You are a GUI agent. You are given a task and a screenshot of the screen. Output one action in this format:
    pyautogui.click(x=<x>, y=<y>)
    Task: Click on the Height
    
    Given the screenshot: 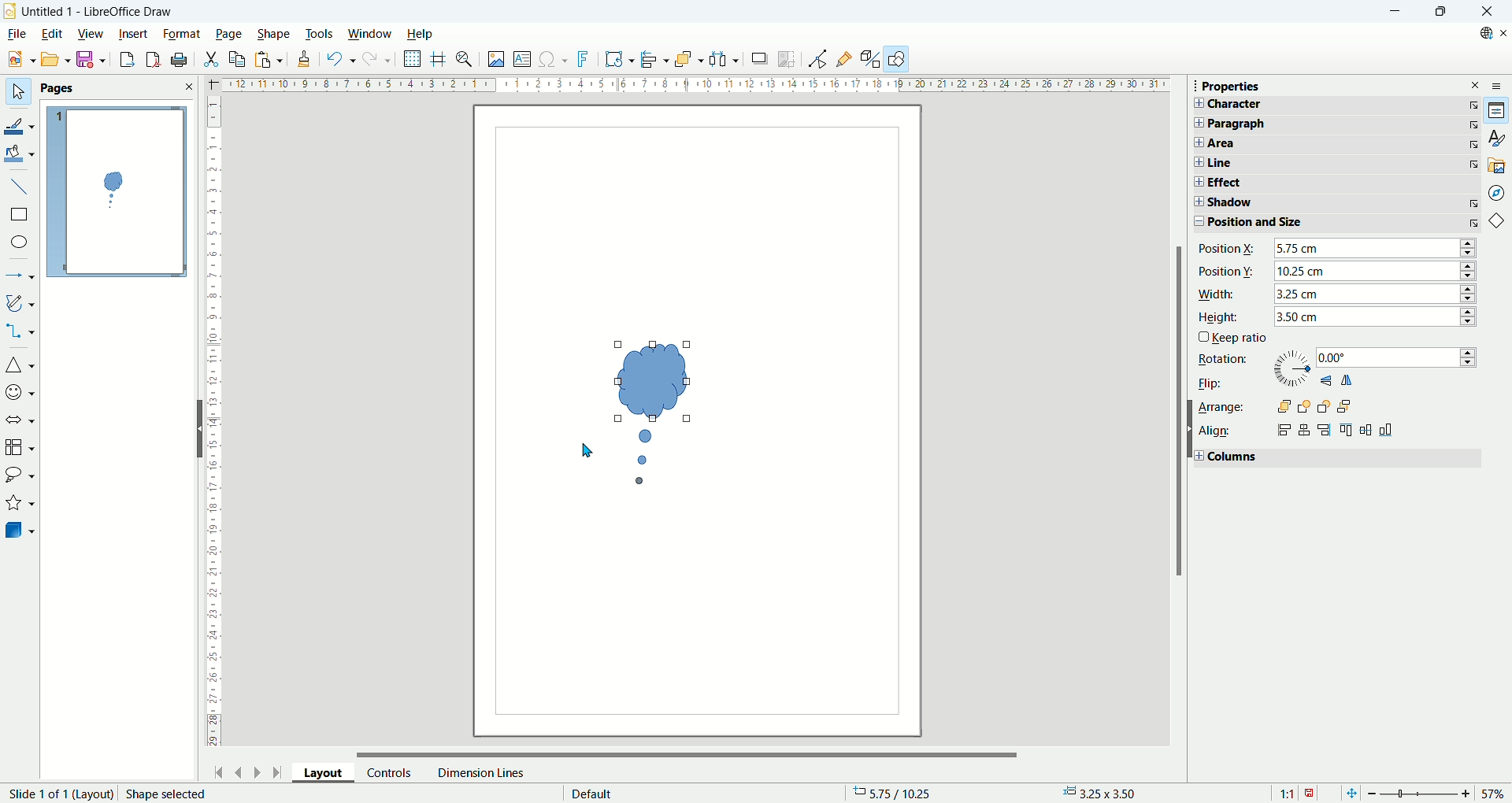 What is the action you would take?
    pyautogui.click(x=1217, y=319)
    